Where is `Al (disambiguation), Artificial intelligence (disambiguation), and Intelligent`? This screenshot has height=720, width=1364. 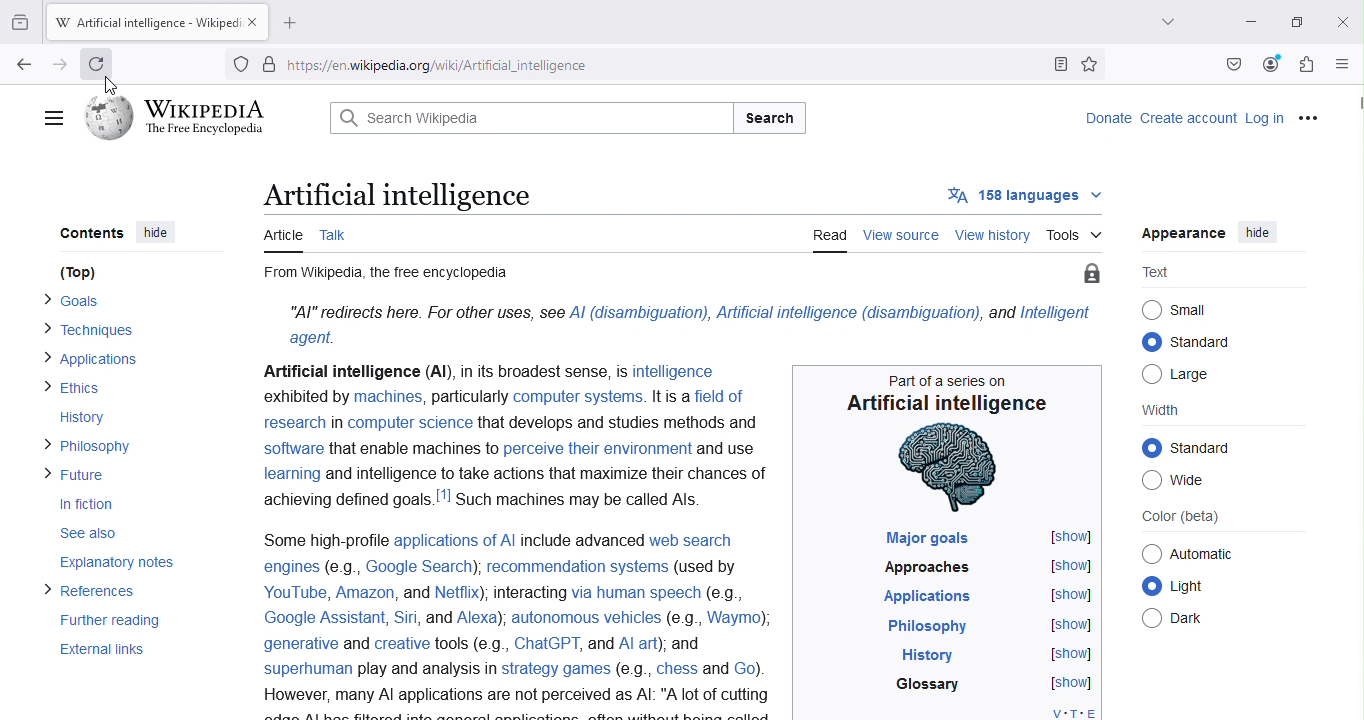
Al (disambiguation), Artificial intelligence (disambiguation), and Intelligent is located at coordinates (835, 314).